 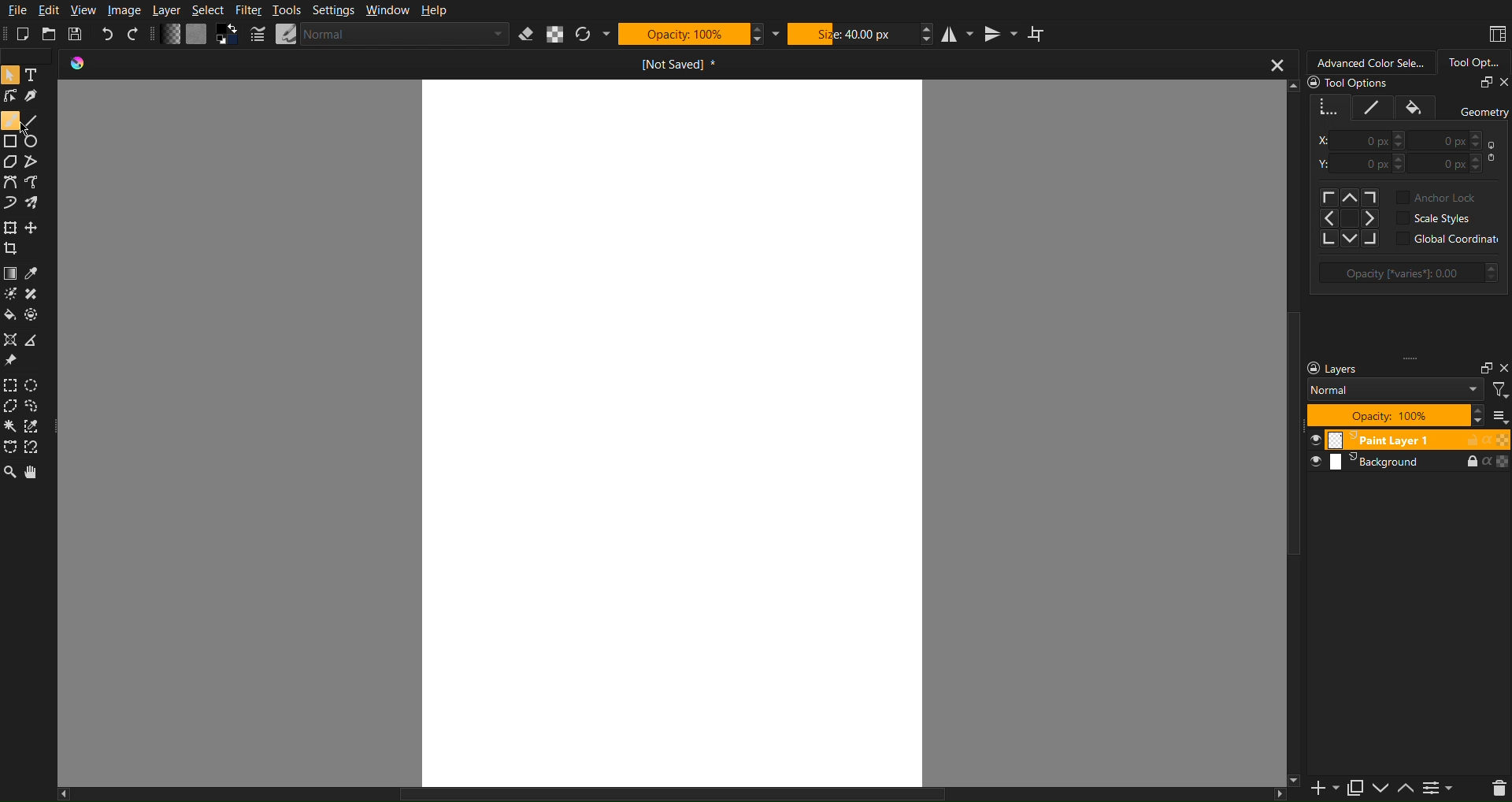 What do you see at coordinates (333, 9) in the screenshot?
I see `Settings` at bounding box center [333, 9].